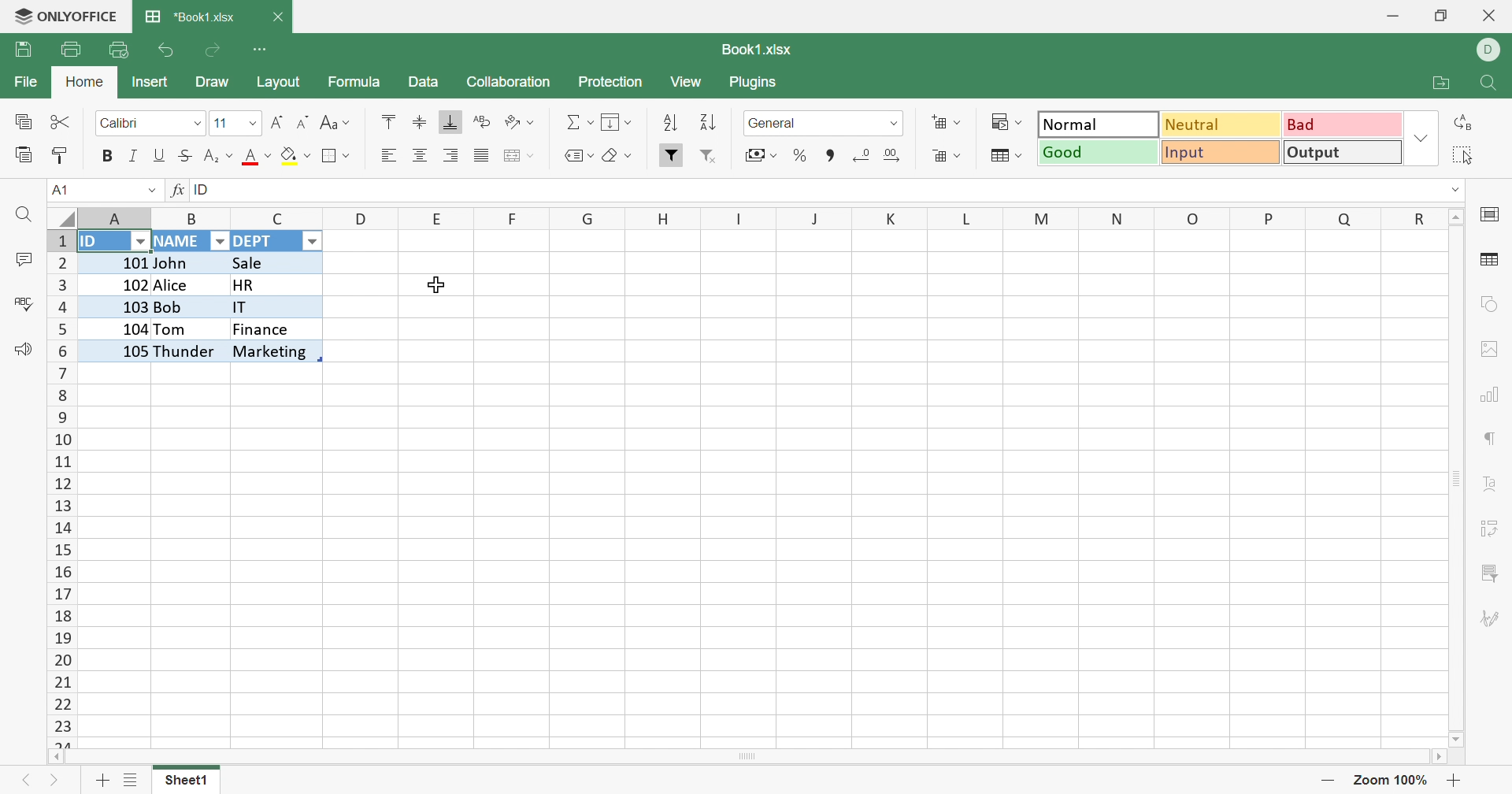  What do you see at coordinates (333, 156) in the screenshot?
I see `Borders` at bounding box center [333, 156].